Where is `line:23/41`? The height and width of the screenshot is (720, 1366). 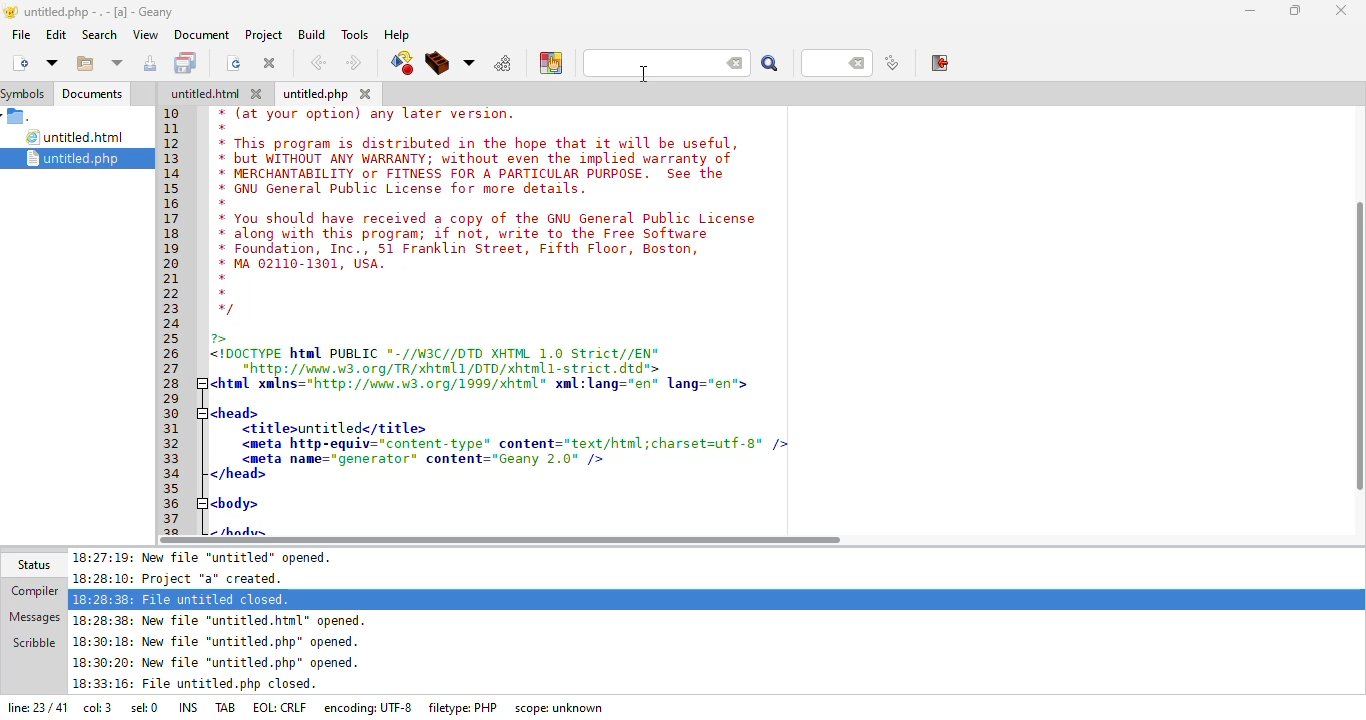
line:23/41 is located at coordinates (35, 709).